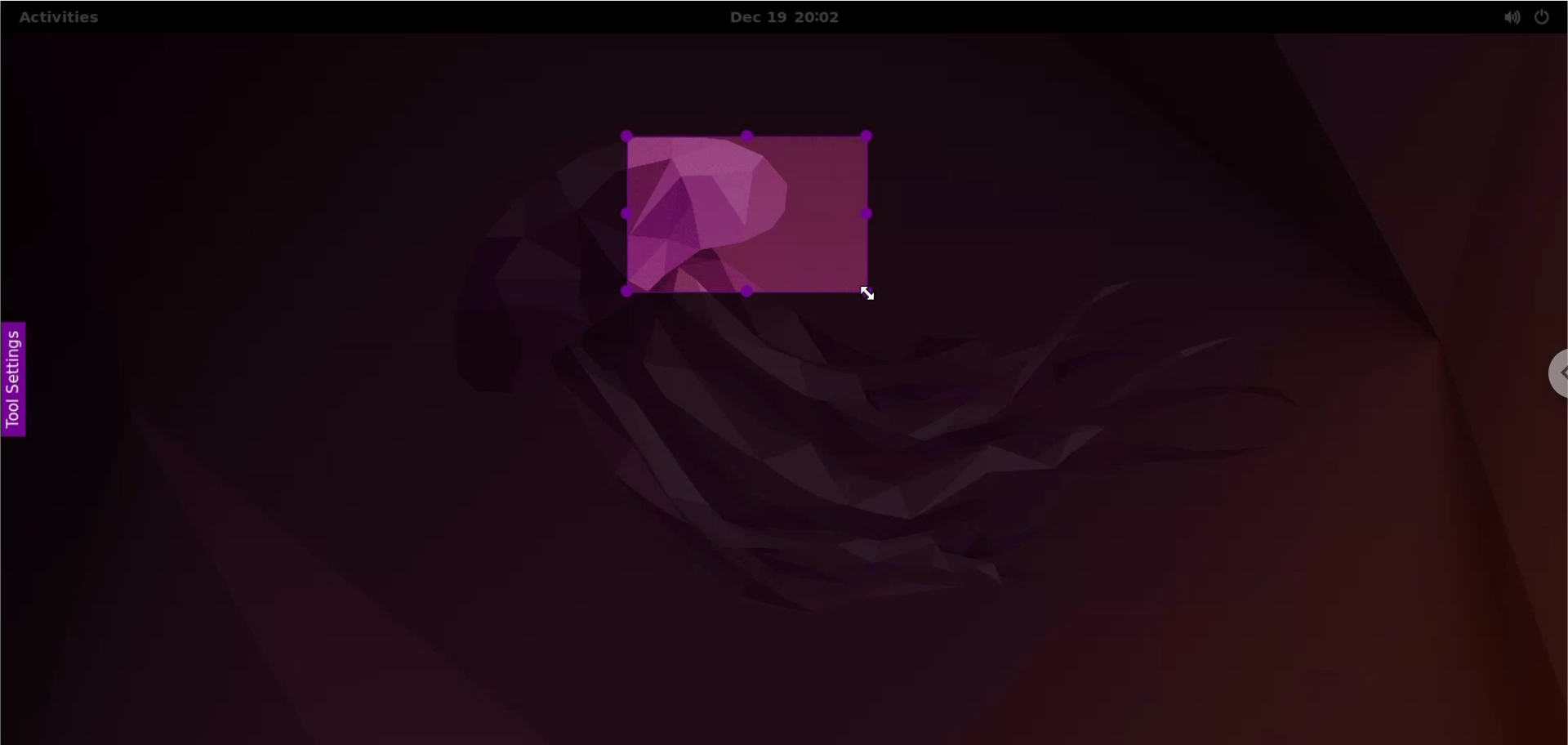  Describe the element at coordinates (20, 376) in the screenshot. I see `tool settings` at that location.